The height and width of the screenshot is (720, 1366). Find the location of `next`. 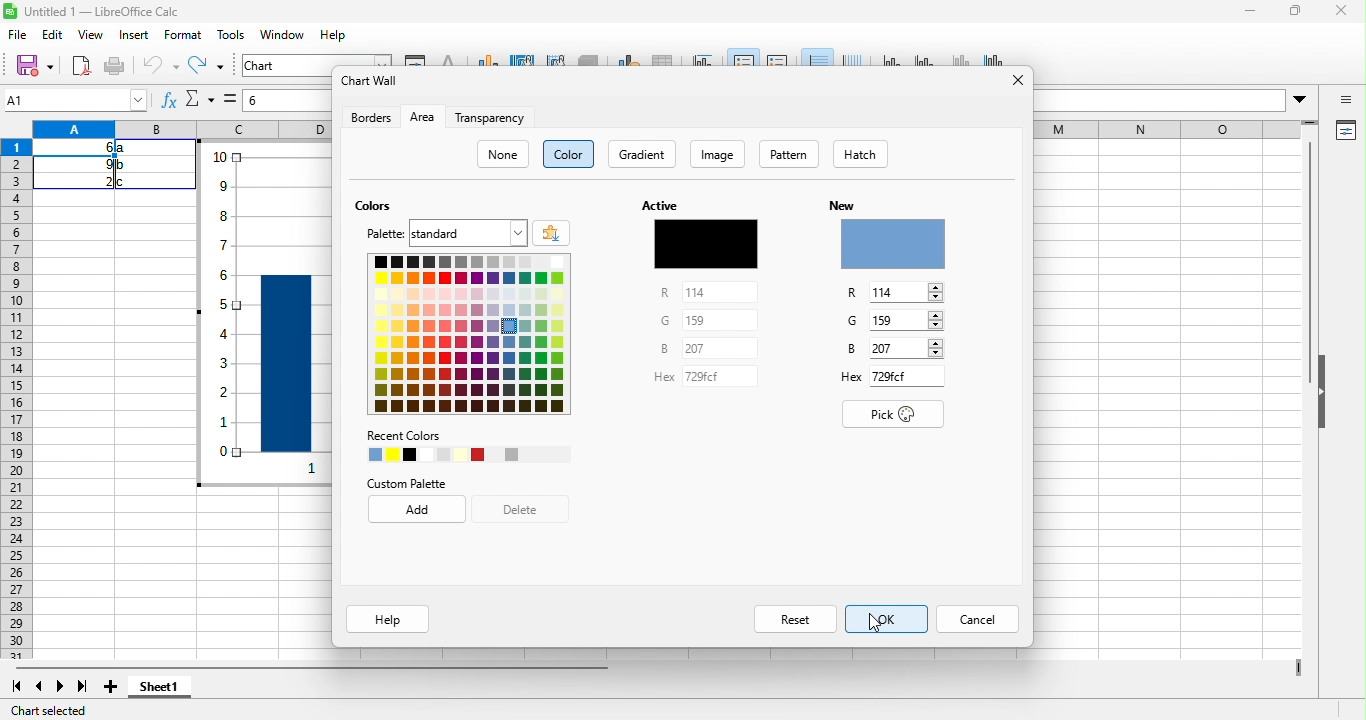

next is located at coordinates (60, 689).